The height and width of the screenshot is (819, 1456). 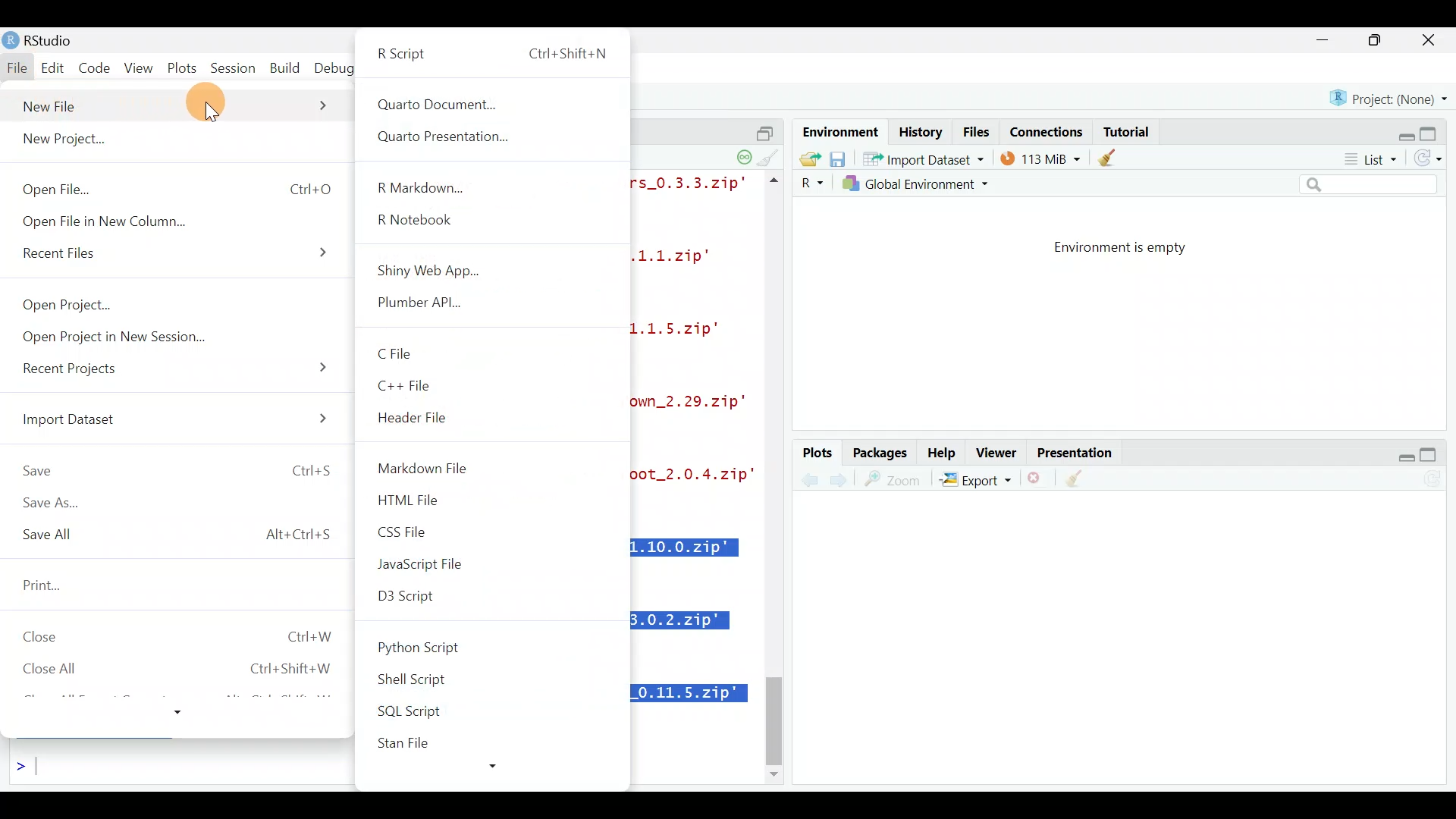 What do you see at coordinates (843, 479) in the screenshot?
I see `previous plot` at bounding box center [843, 479].